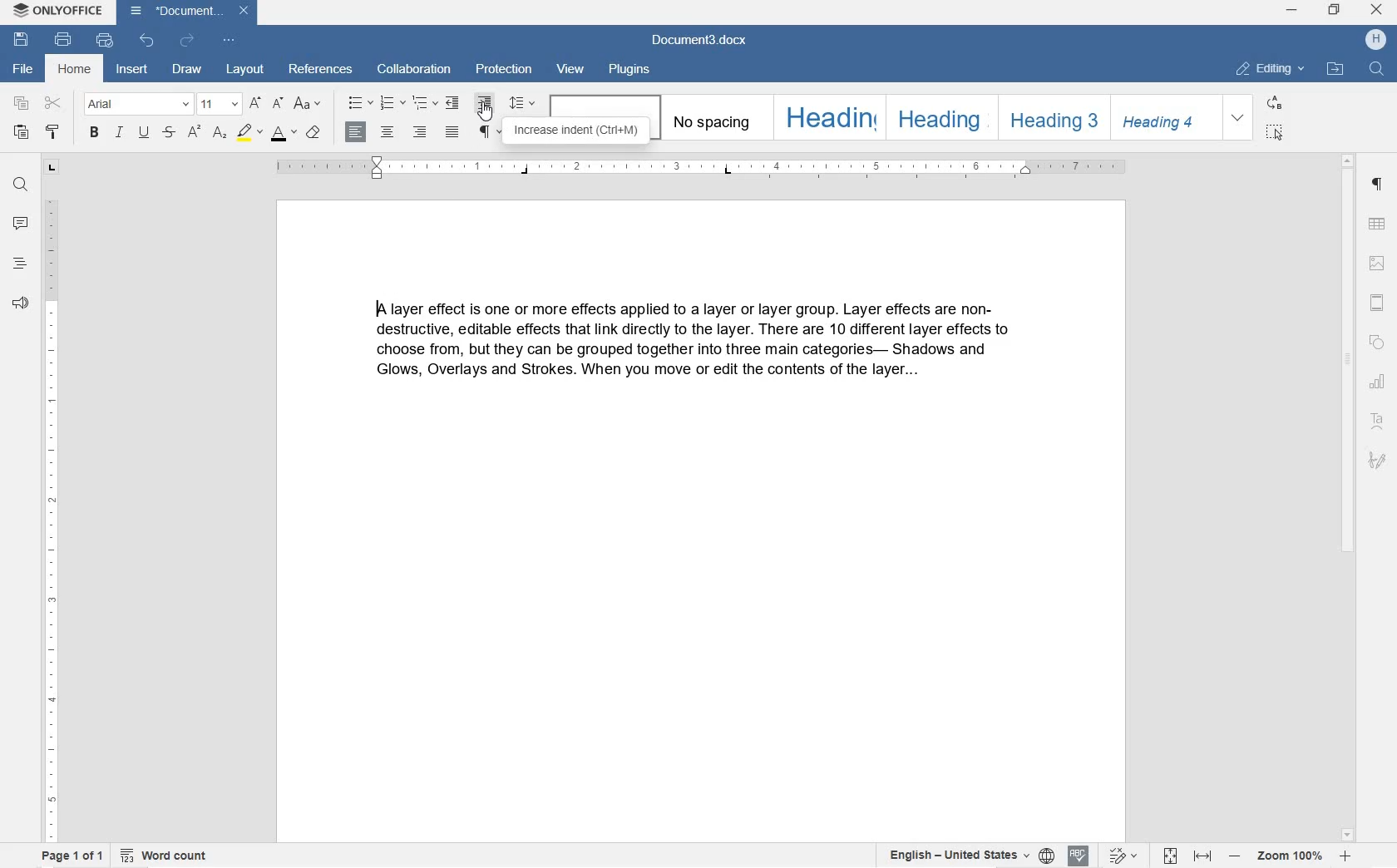 Image resolution: width=1397 pixels, height=868 pixels. I want to click on Document3.docx, so click(701, 40).